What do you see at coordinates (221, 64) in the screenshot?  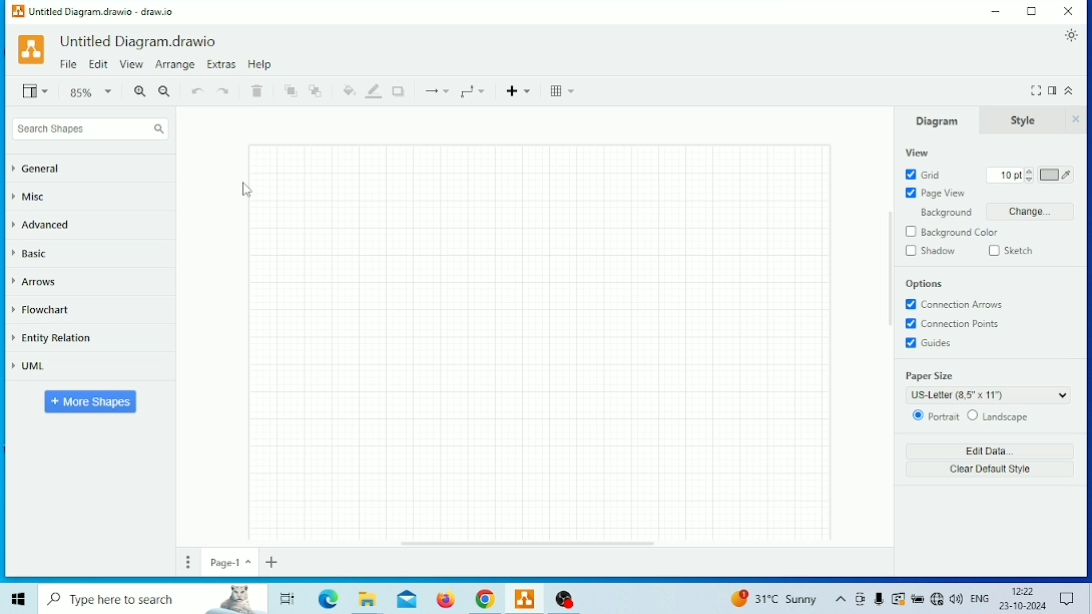 I see `Extras` at bounding box center [221, 64].